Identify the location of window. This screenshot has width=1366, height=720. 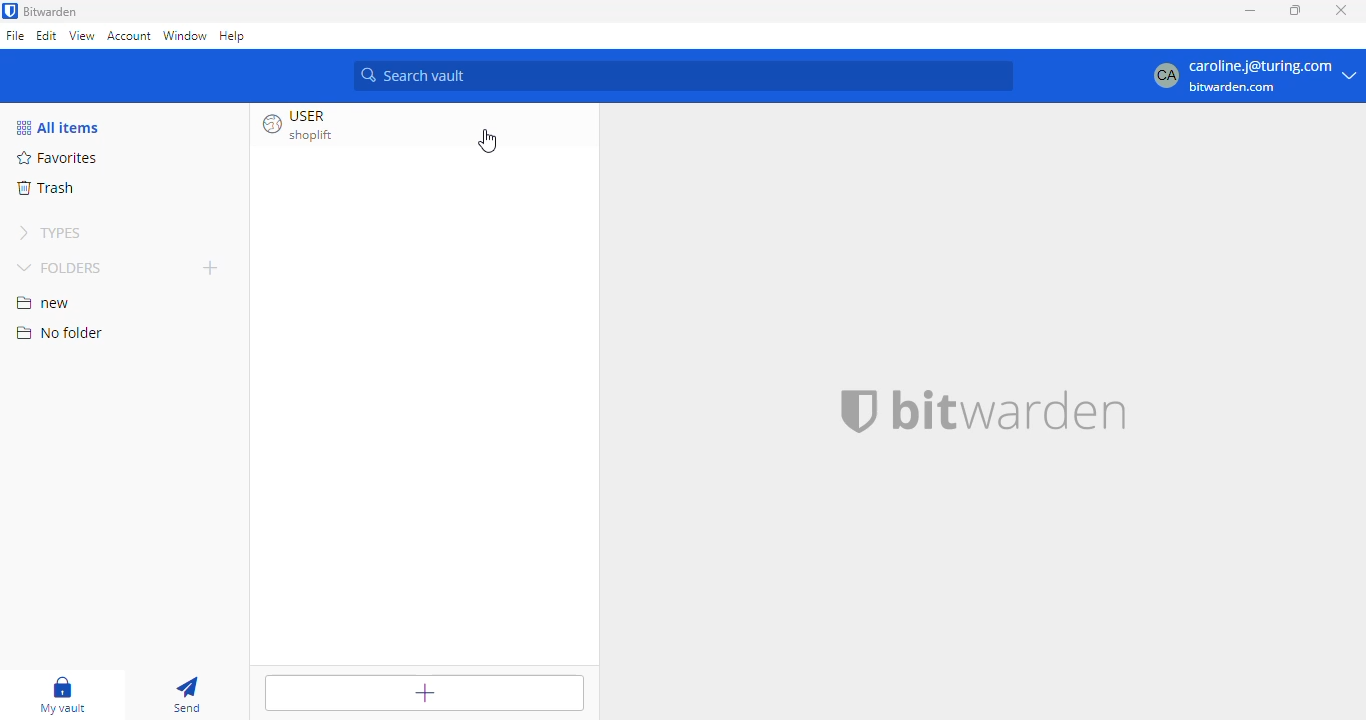
(186, 35).